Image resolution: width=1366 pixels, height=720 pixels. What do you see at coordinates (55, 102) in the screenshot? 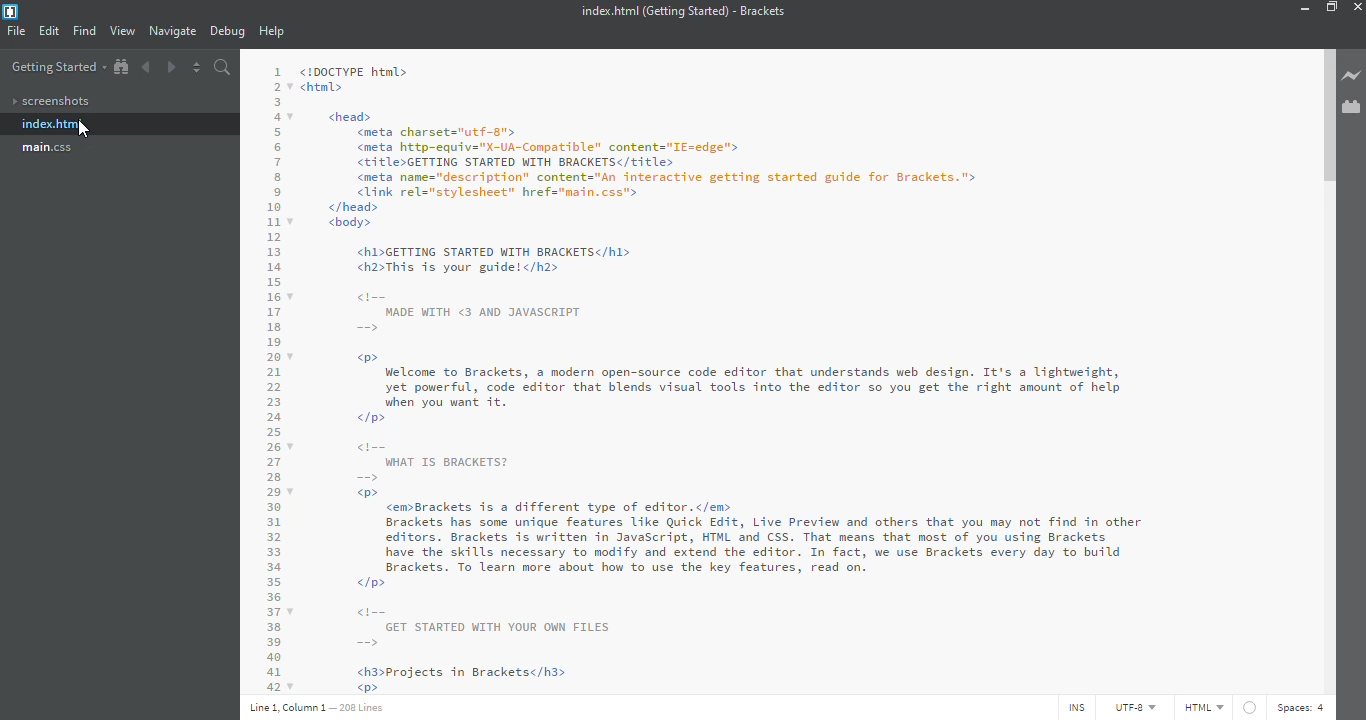
I see `screenshots` at bounding box center [55, 102].